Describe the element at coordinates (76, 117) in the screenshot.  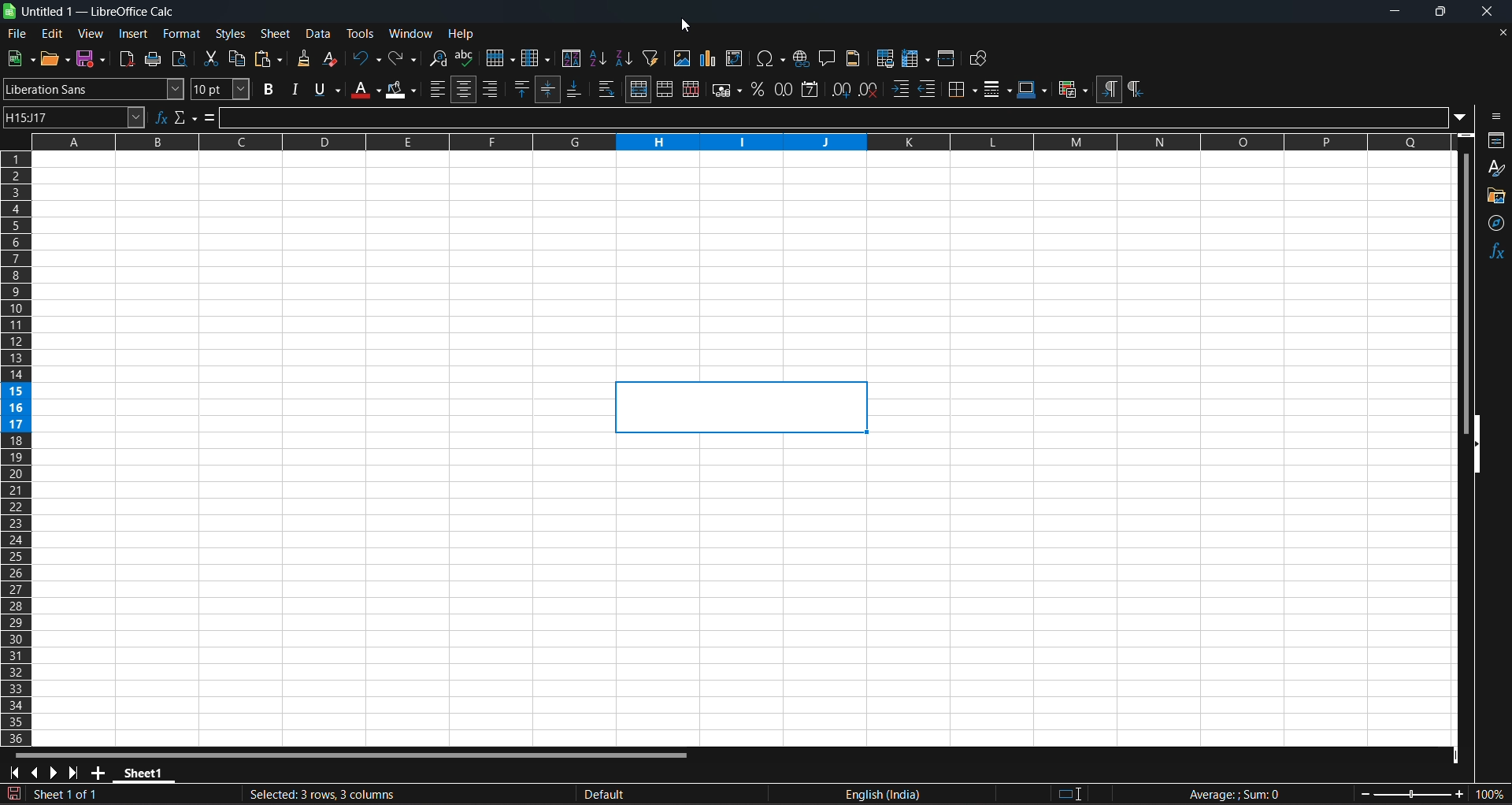
I see `name box` at that location.